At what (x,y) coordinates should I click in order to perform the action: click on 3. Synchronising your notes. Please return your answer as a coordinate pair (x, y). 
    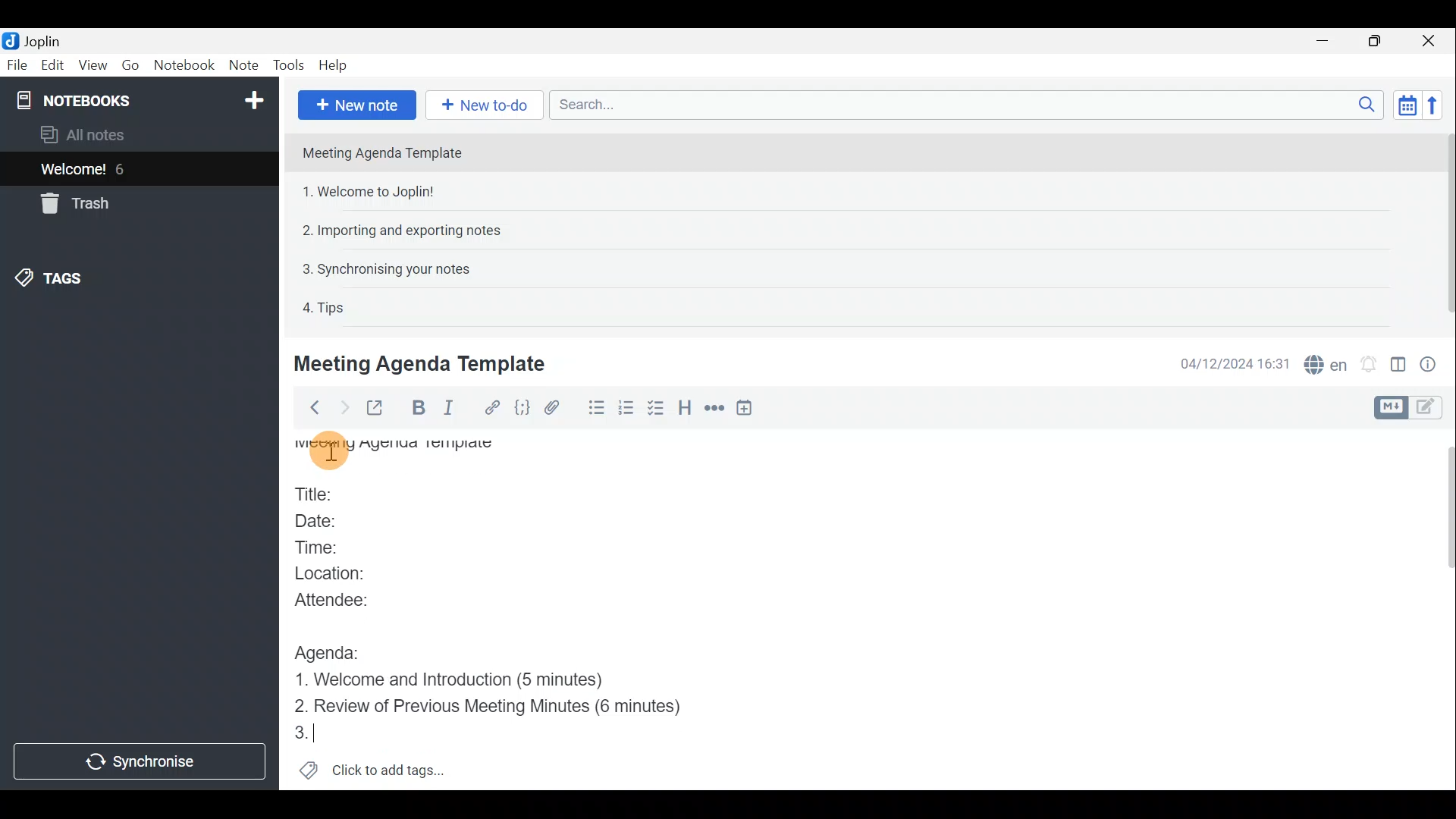
    Looking at the image, I should click on (386, 268).